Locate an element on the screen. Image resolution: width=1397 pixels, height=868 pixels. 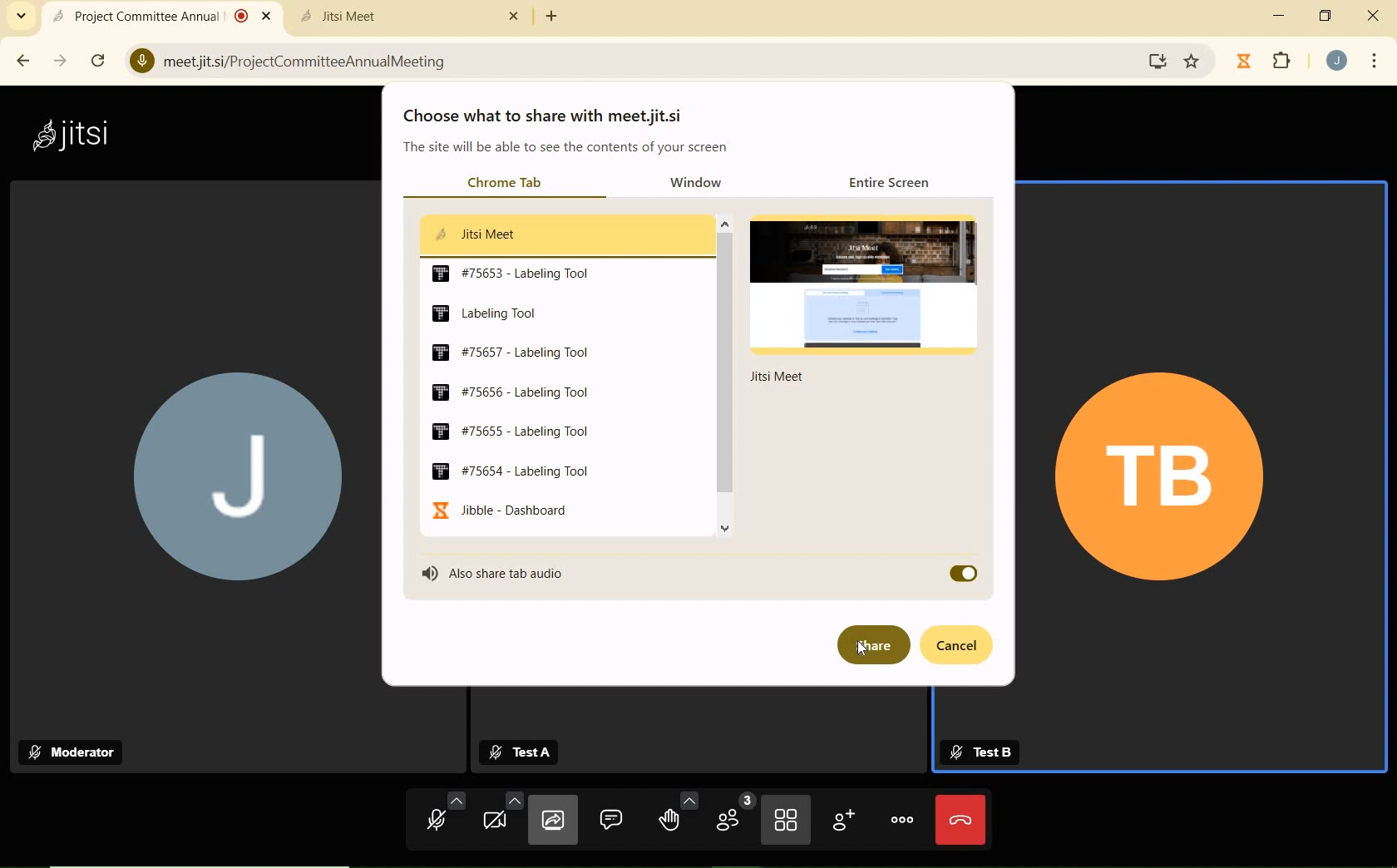
new tab is located at coordinates (553, 18).